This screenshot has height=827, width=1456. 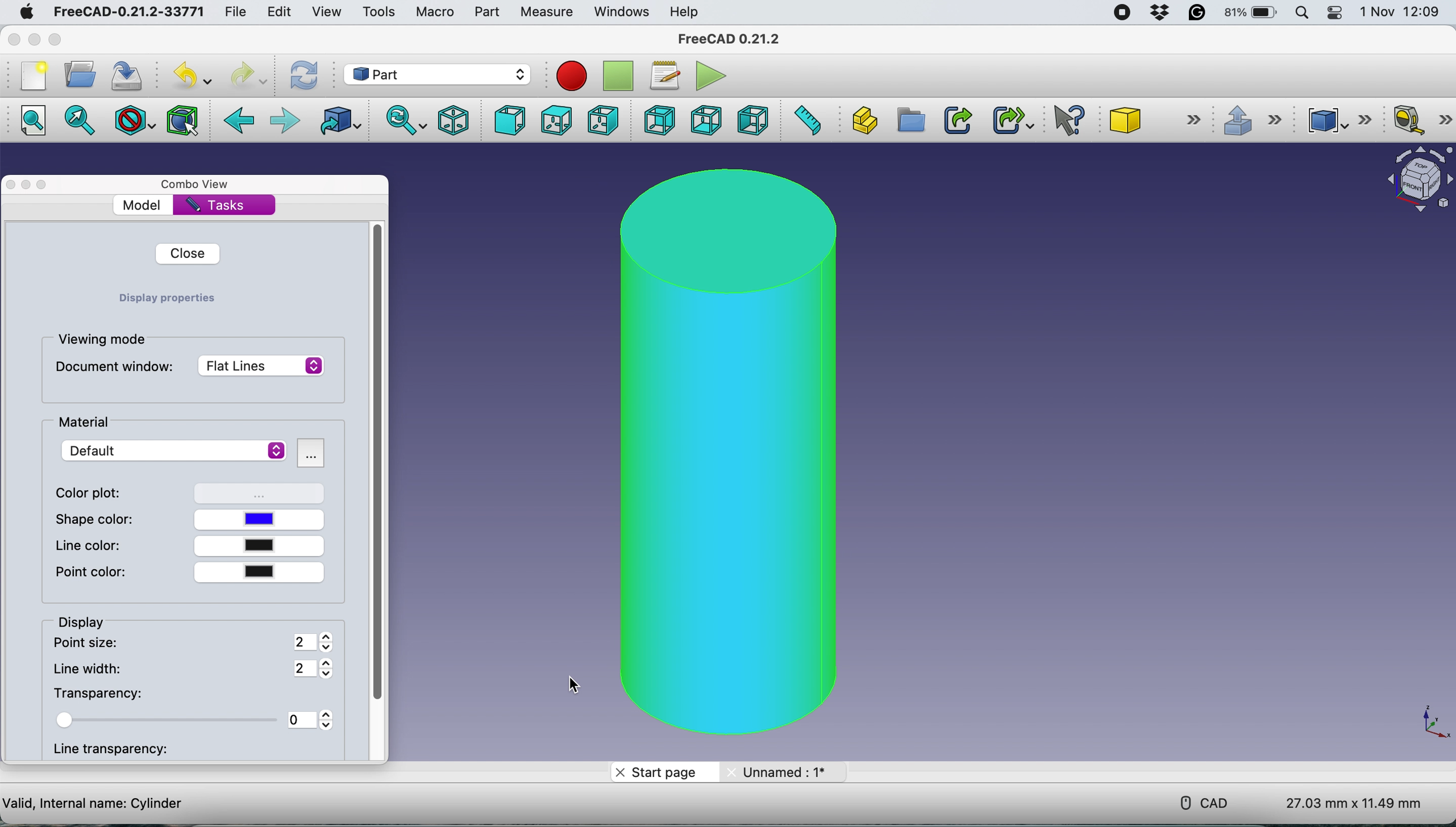 I want to click on line transparency, so click(x=119, y=751).